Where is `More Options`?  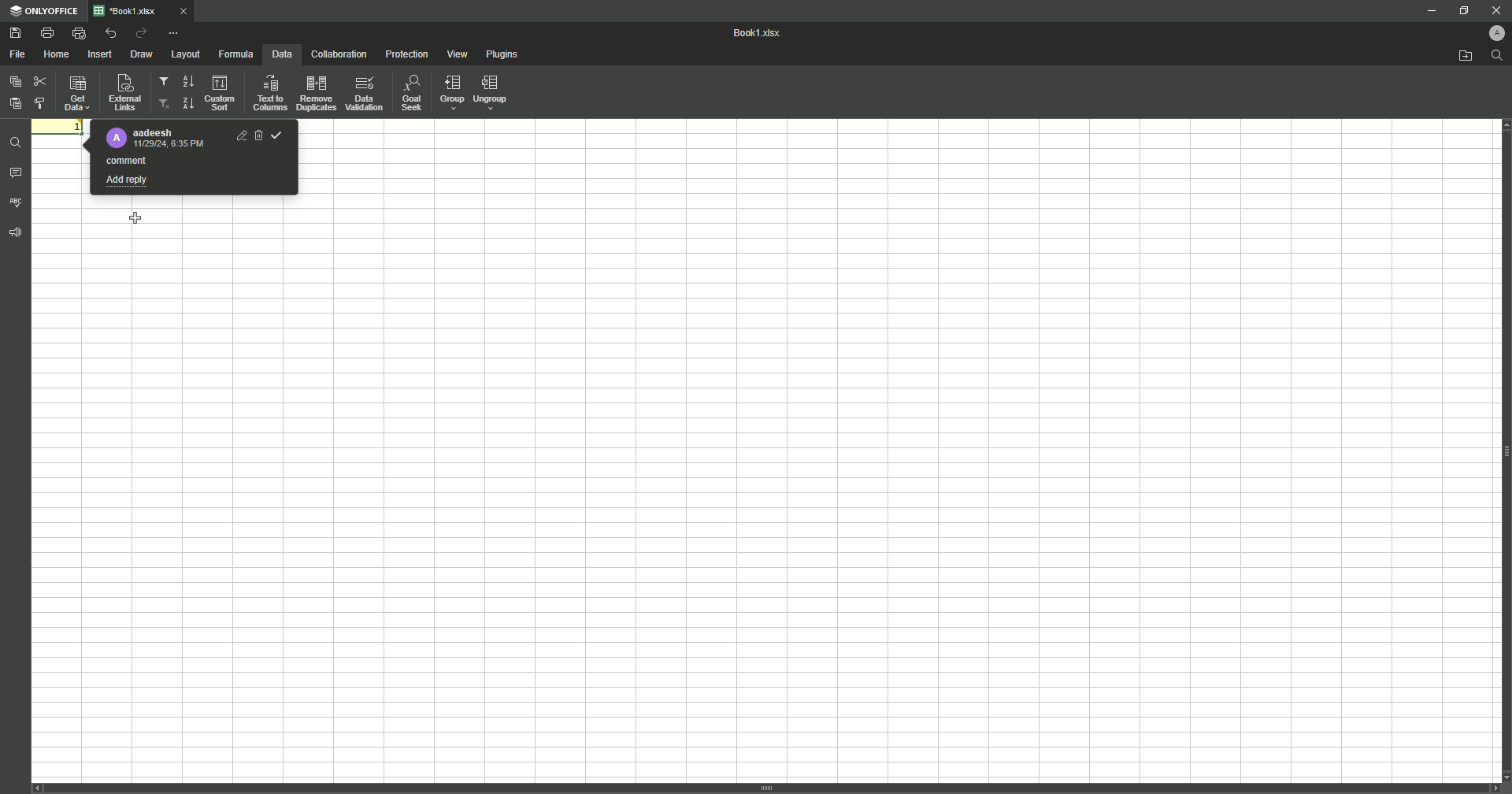
More Options is located at coordinates (176, 32).